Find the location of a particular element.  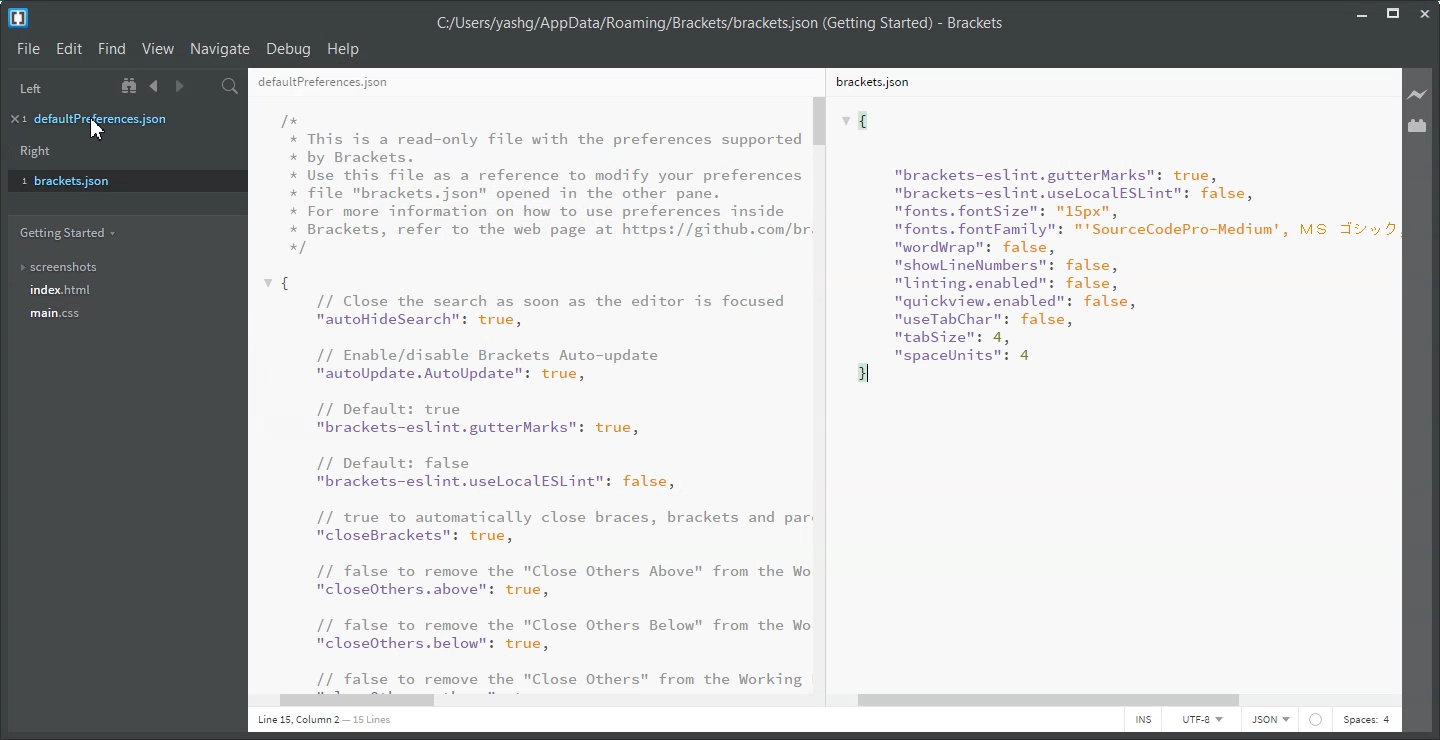

Debug is located at coordinates (288, 49).